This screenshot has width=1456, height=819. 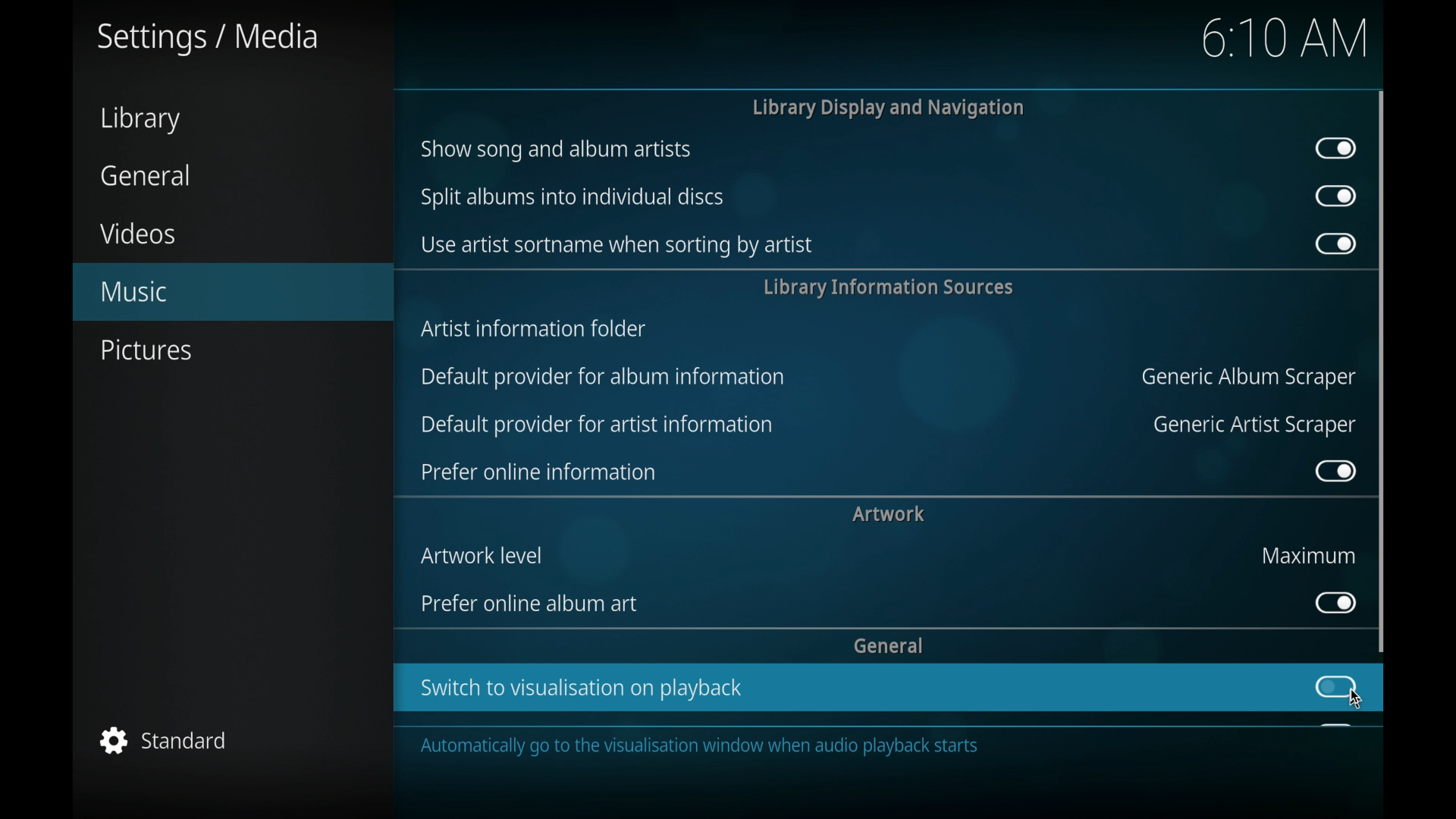 What do you see at coordinates (1255, 425) in the screenshot?
I see `generic artist scraper` at bounding box center [1255, 425].